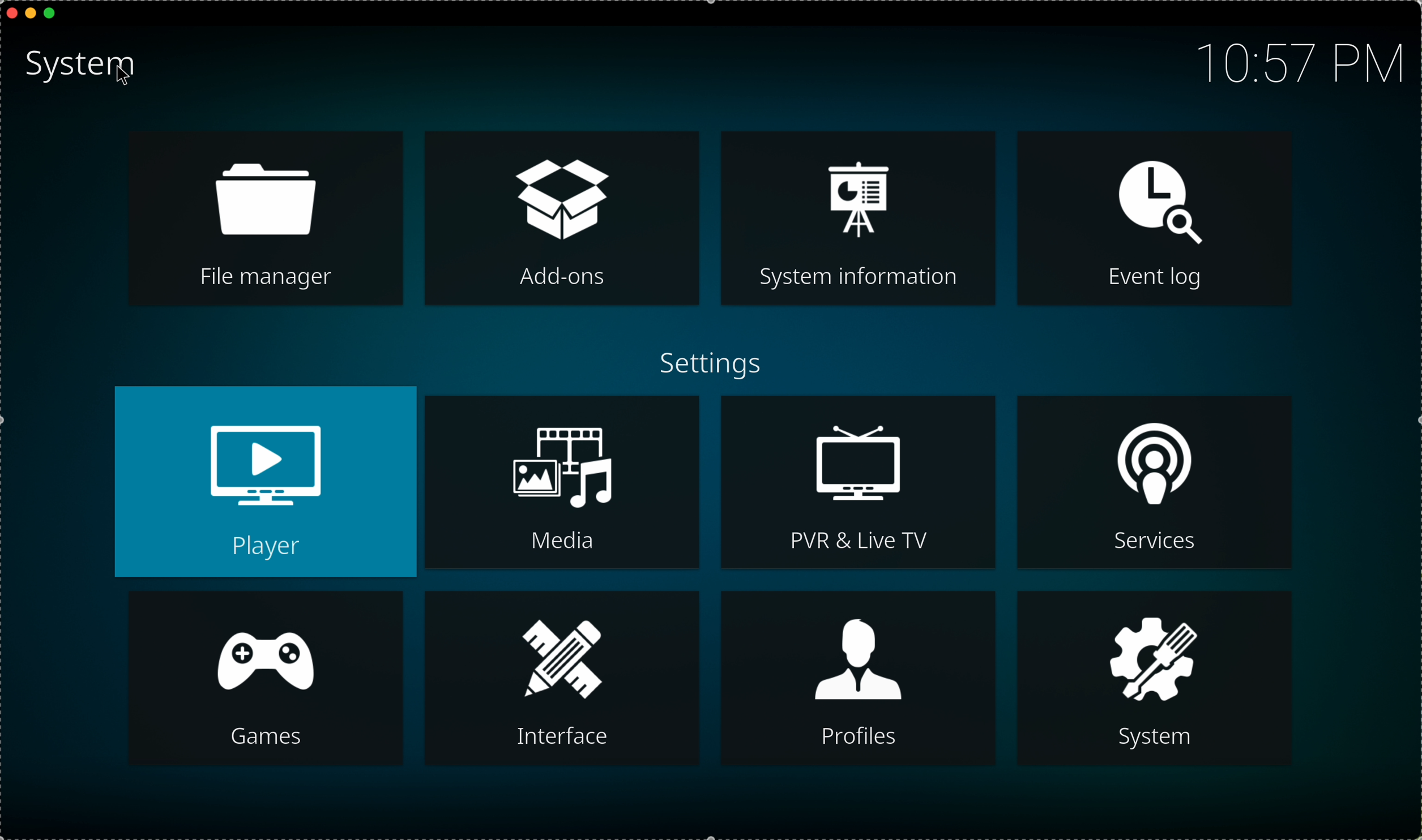 This screenshot has height=840, width=1422. What do you see at coordinates (9, 12) in the screenshot?
I see `close ` at bounding box center [9, 12].